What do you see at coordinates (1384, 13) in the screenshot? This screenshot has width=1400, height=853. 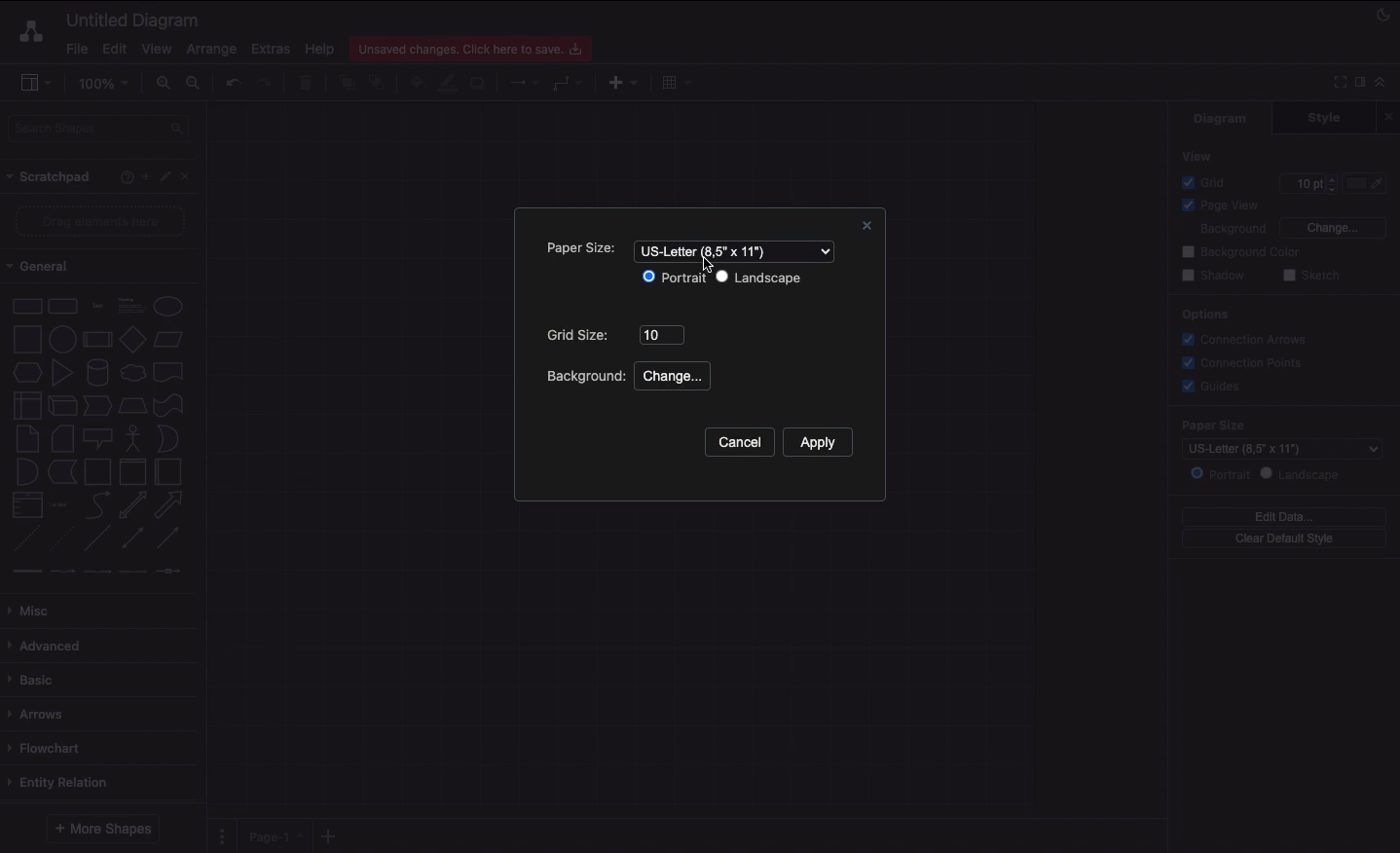 I see `Night mode ` at bounding box center [1384, 13].